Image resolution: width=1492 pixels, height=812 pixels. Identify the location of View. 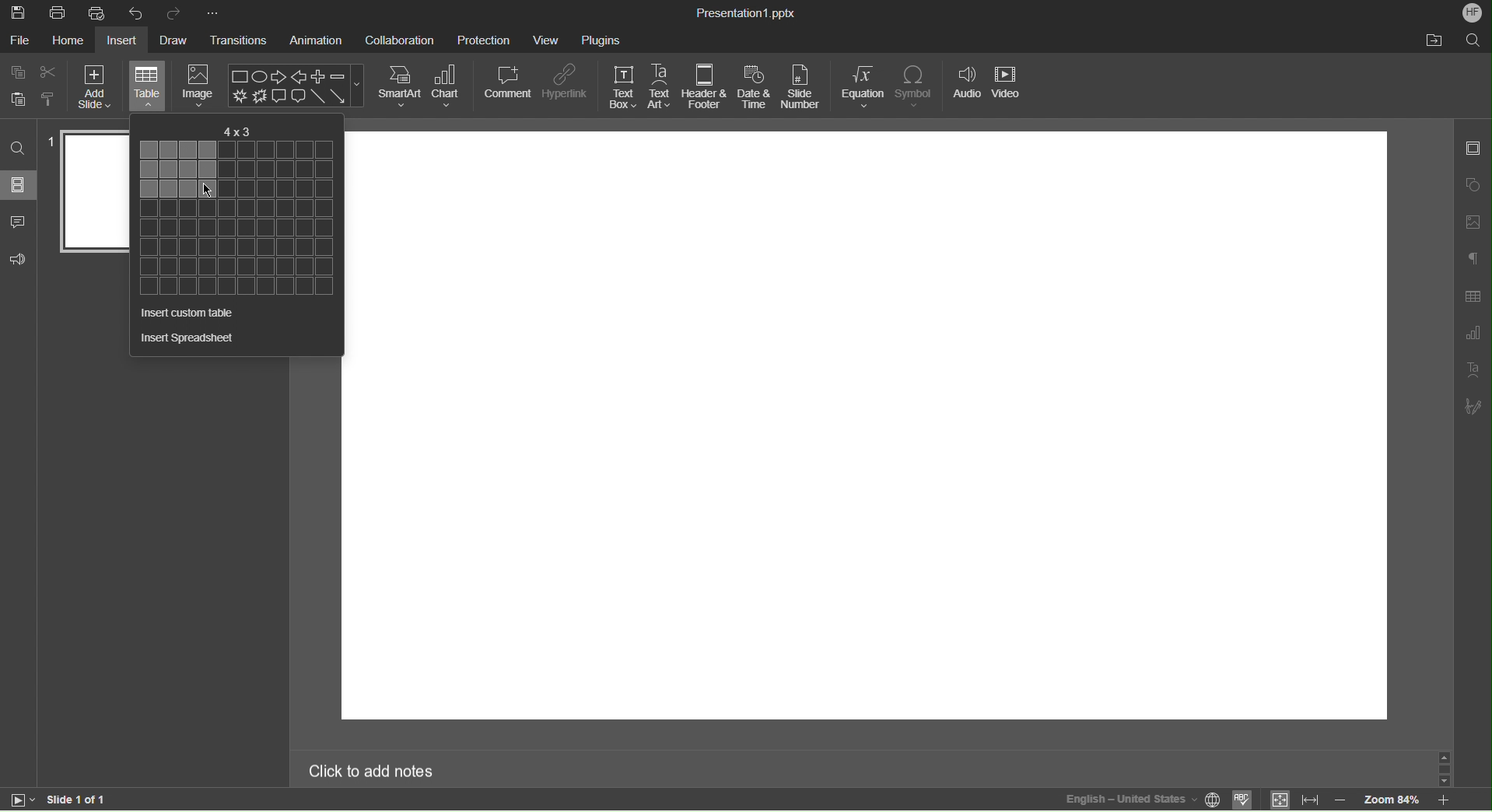
(546, 40).